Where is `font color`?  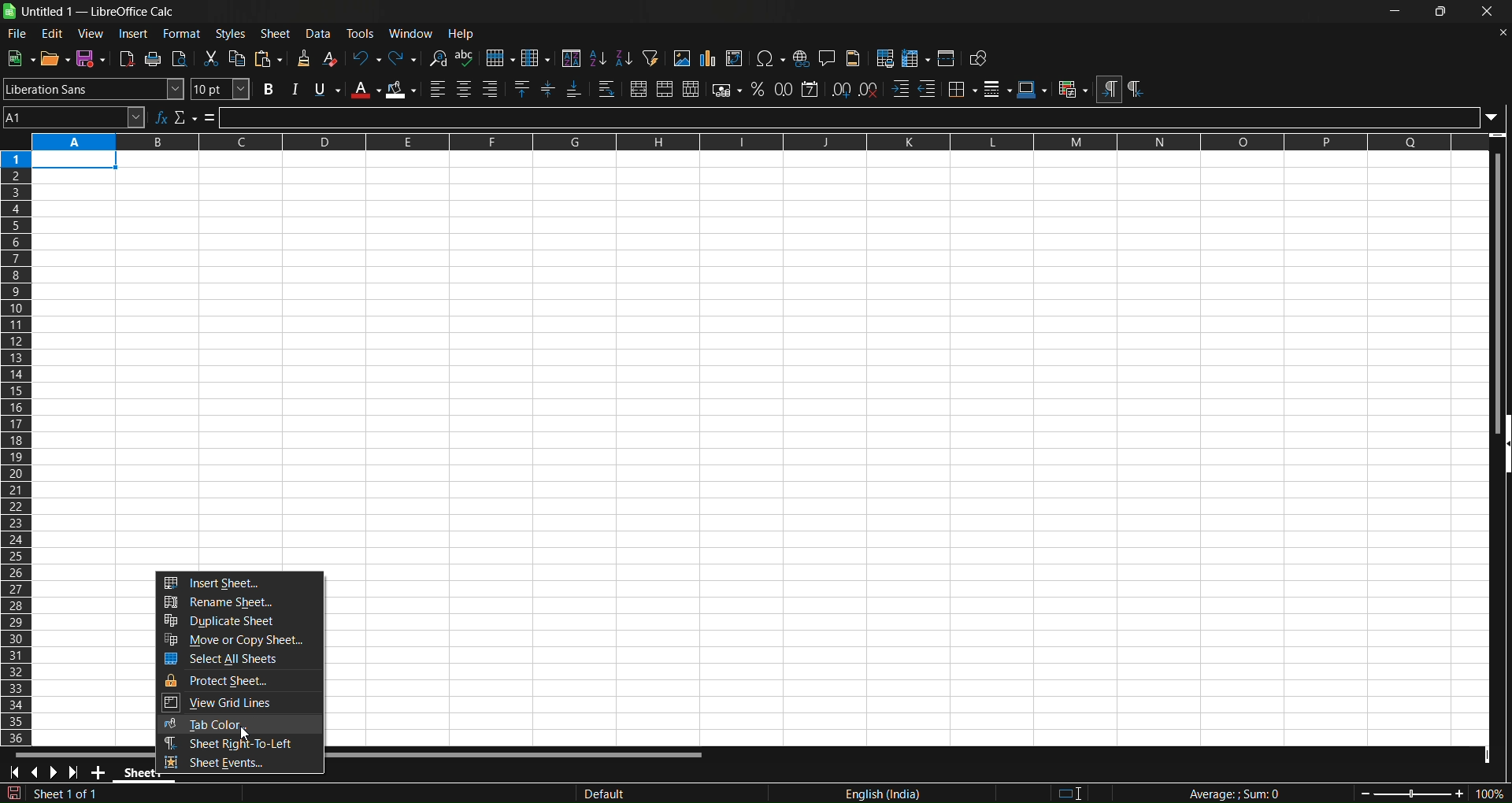
font color is located at coordinates (365, 89).